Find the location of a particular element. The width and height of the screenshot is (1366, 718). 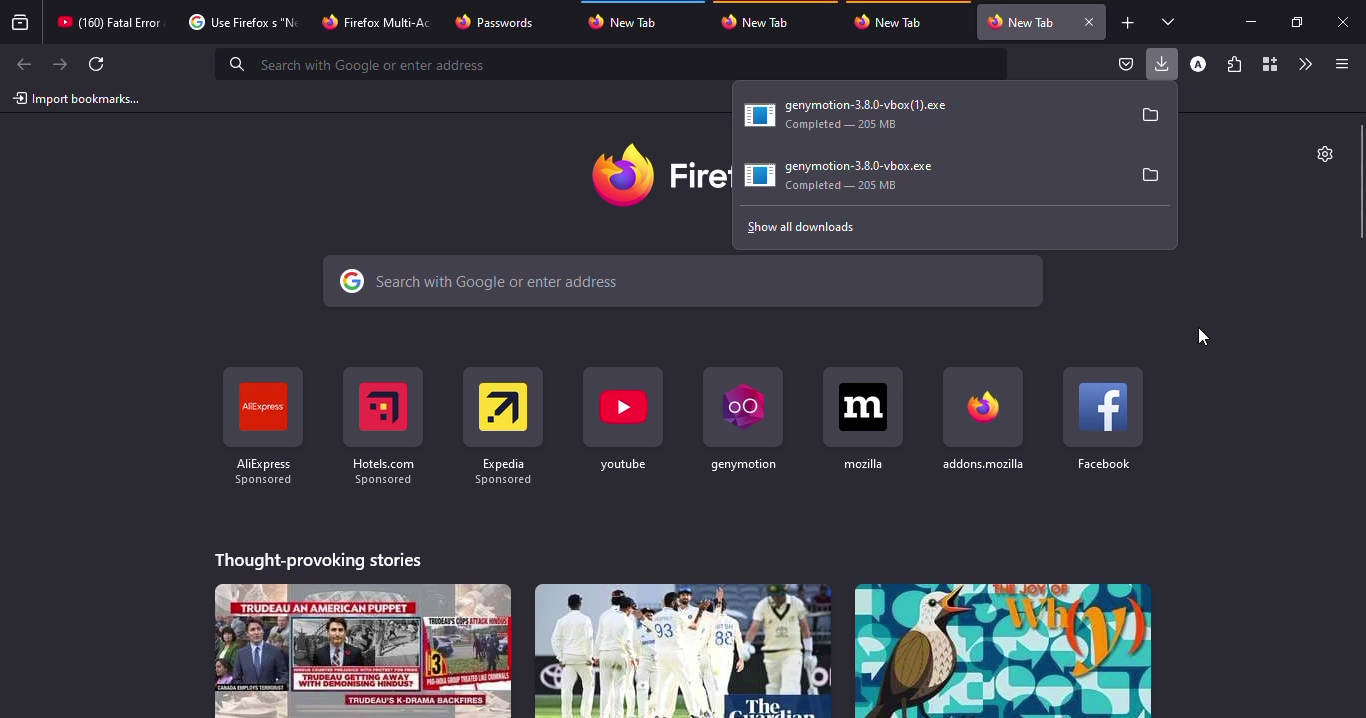

download is located at coordinates (859, 111).